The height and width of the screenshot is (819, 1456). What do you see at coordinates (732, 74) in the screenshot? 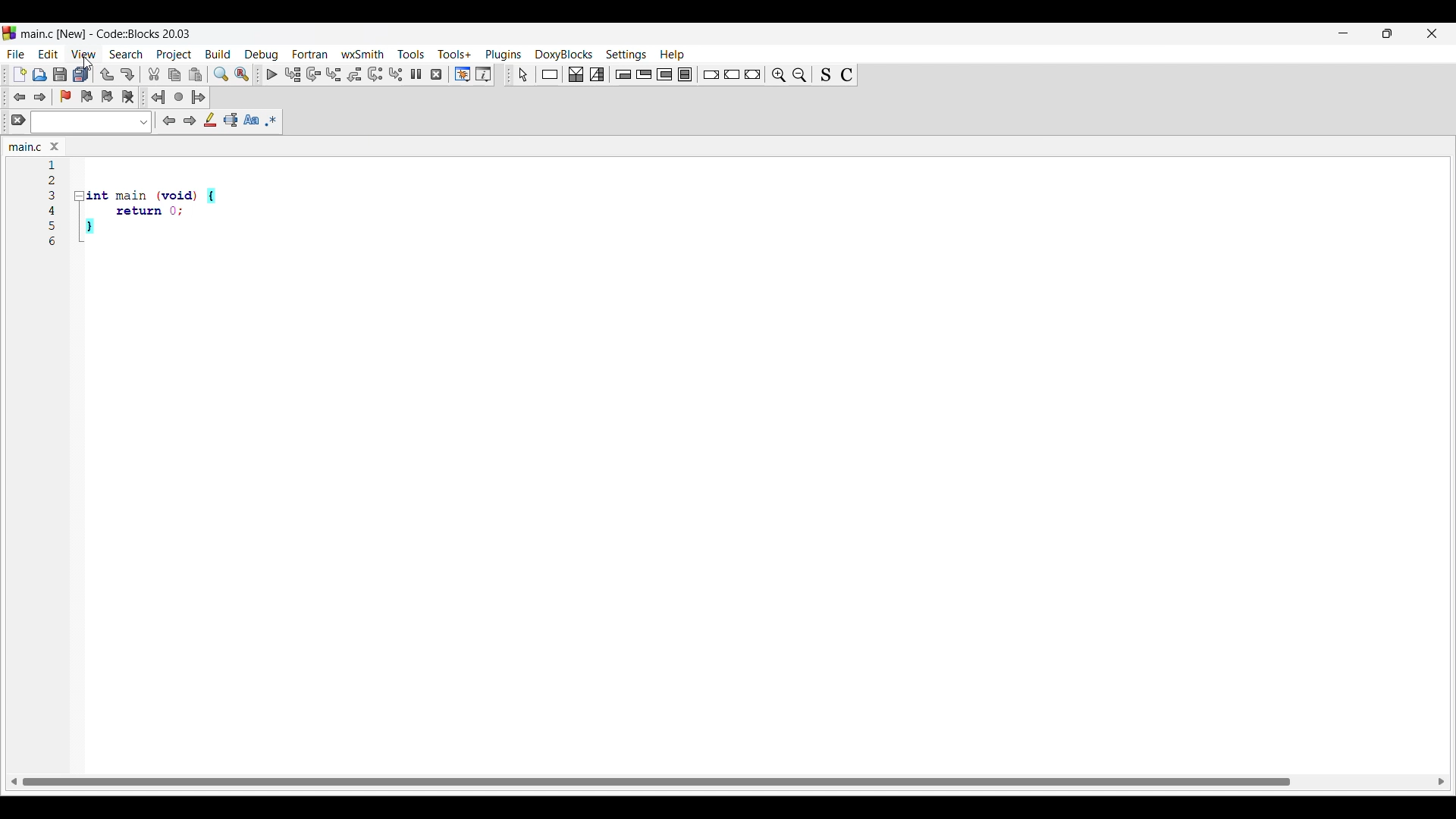
I see `Continue instruction` at bounding box center [732, 74].